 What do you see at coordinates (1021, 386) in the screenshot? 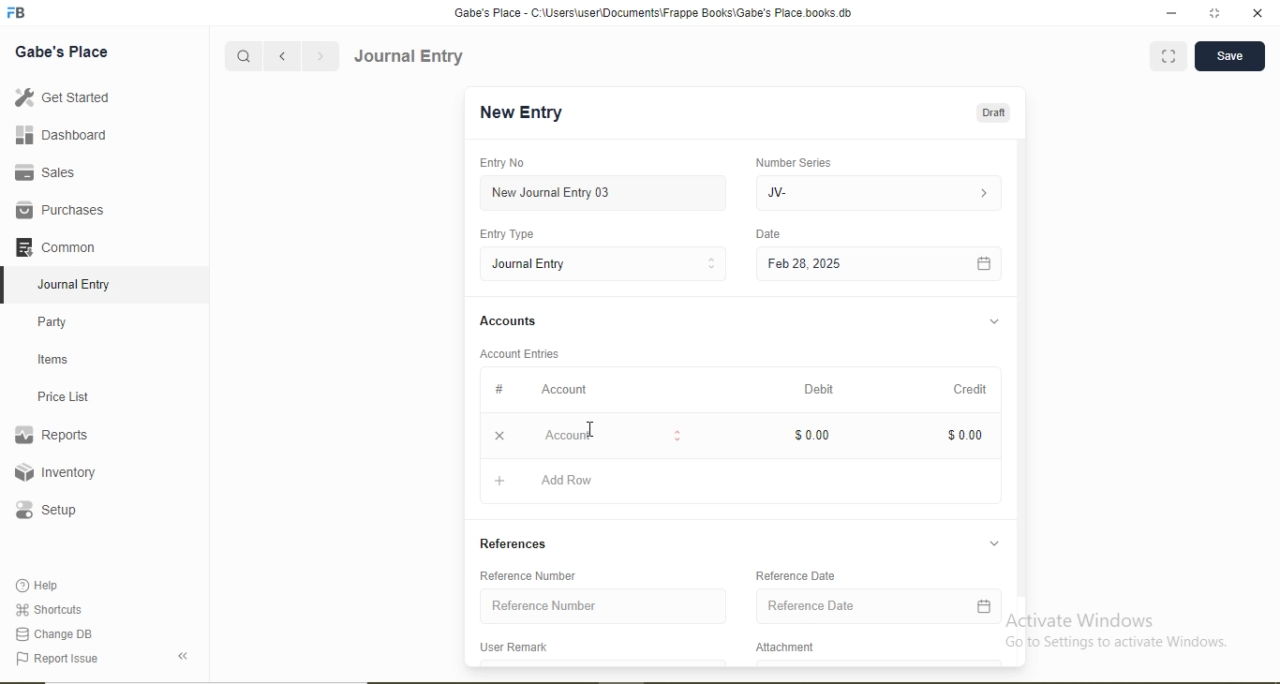
I see `Scroll bar` at bounding box center [1021, 386].